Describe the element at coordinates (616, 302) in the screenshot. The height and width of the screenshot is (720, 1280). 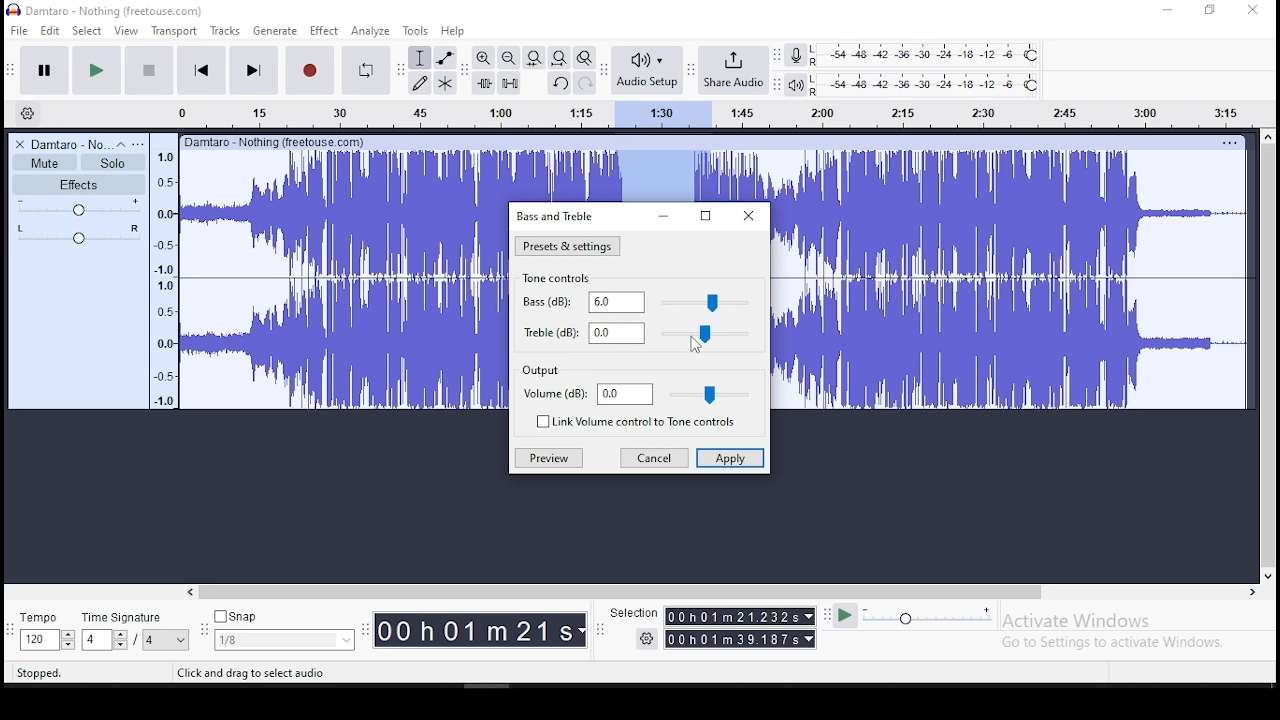
I see `0.0` at that location.